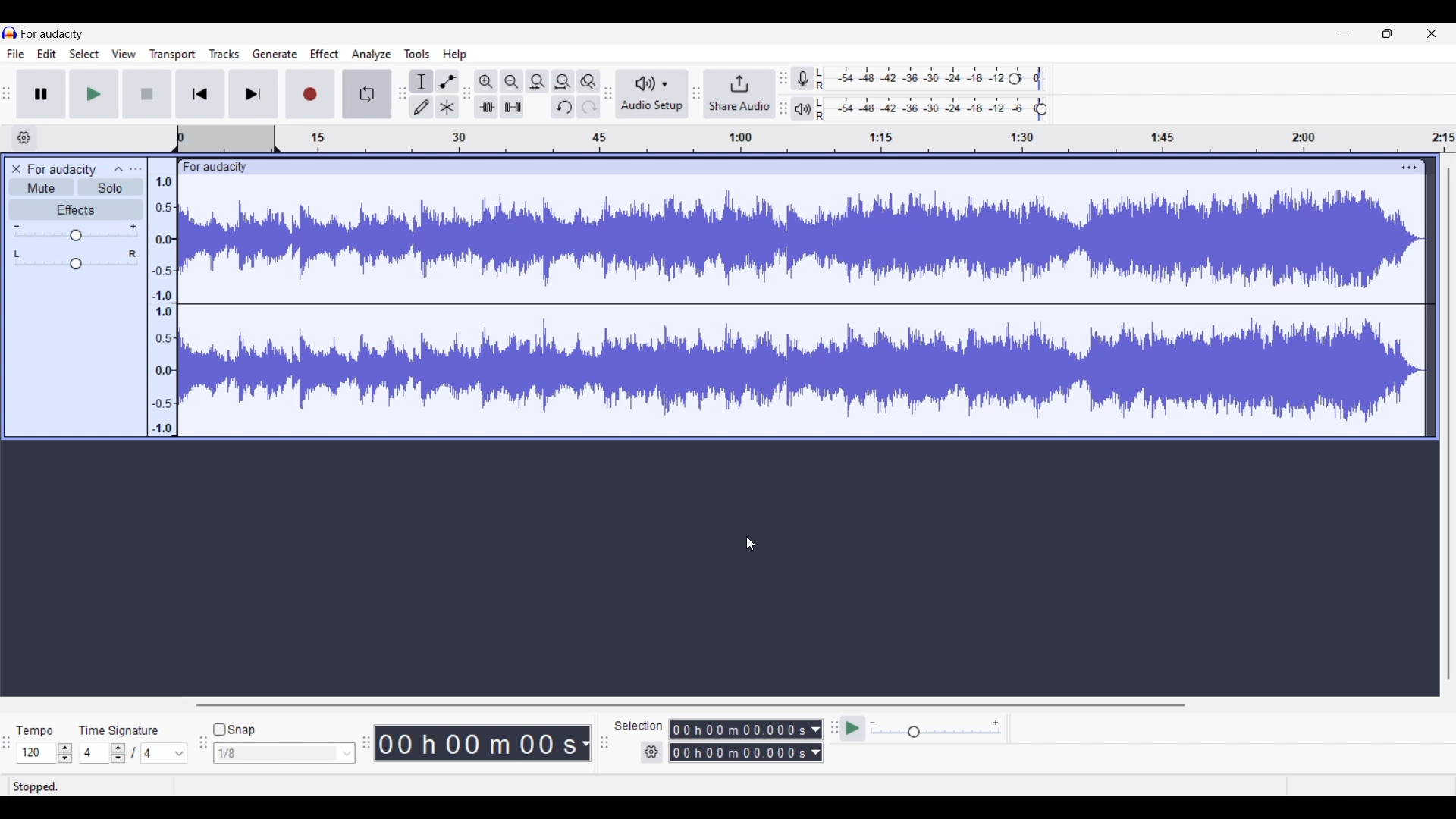 Image resolution: width=1456 pixels, height=819 pixels. Describe the element at coordinates (589, 79) in the screenshot. I see `Zoom toggle` at that location.